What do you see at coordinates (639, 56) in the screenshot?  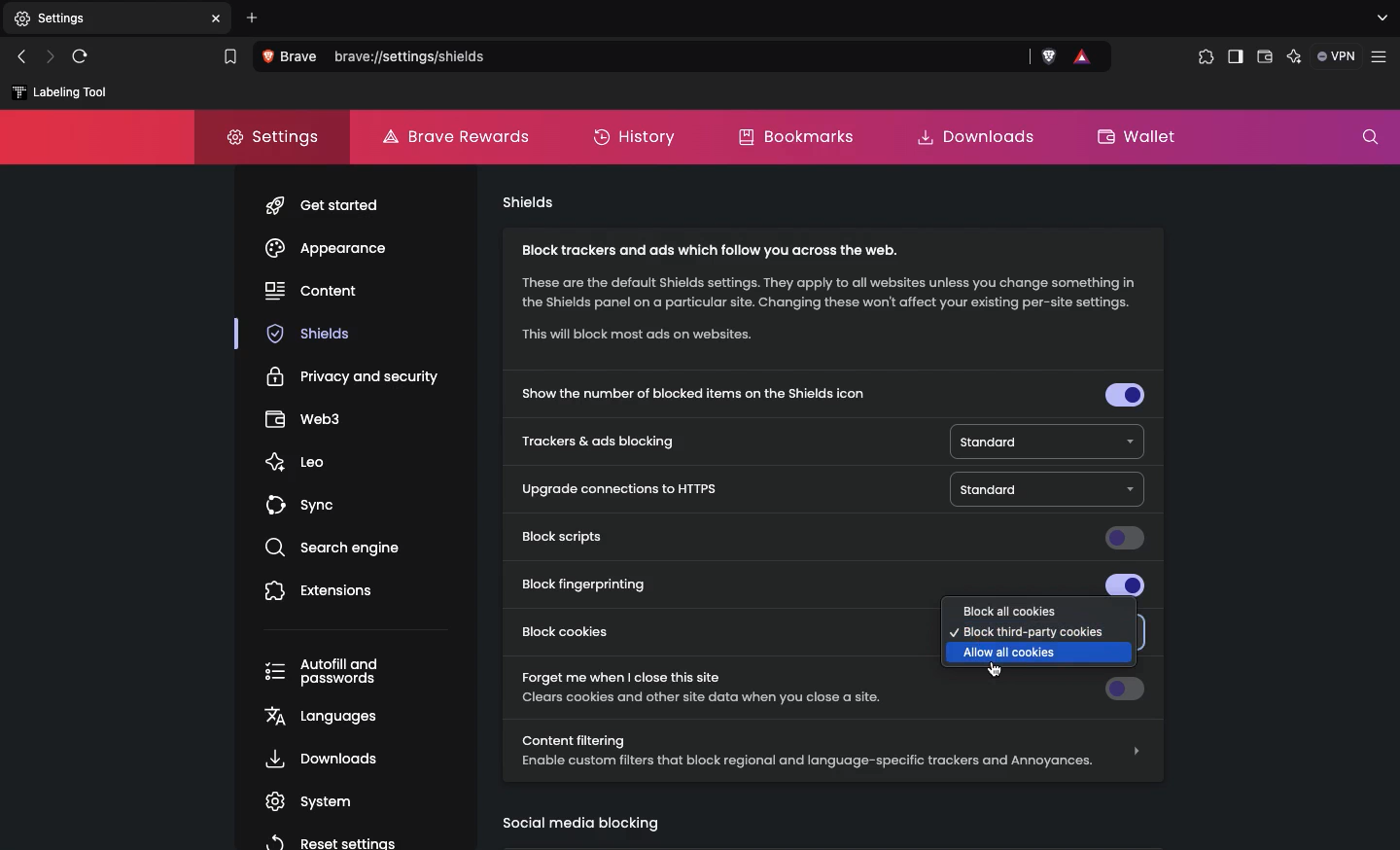 I see `Search` at bounding box center [639, 56].